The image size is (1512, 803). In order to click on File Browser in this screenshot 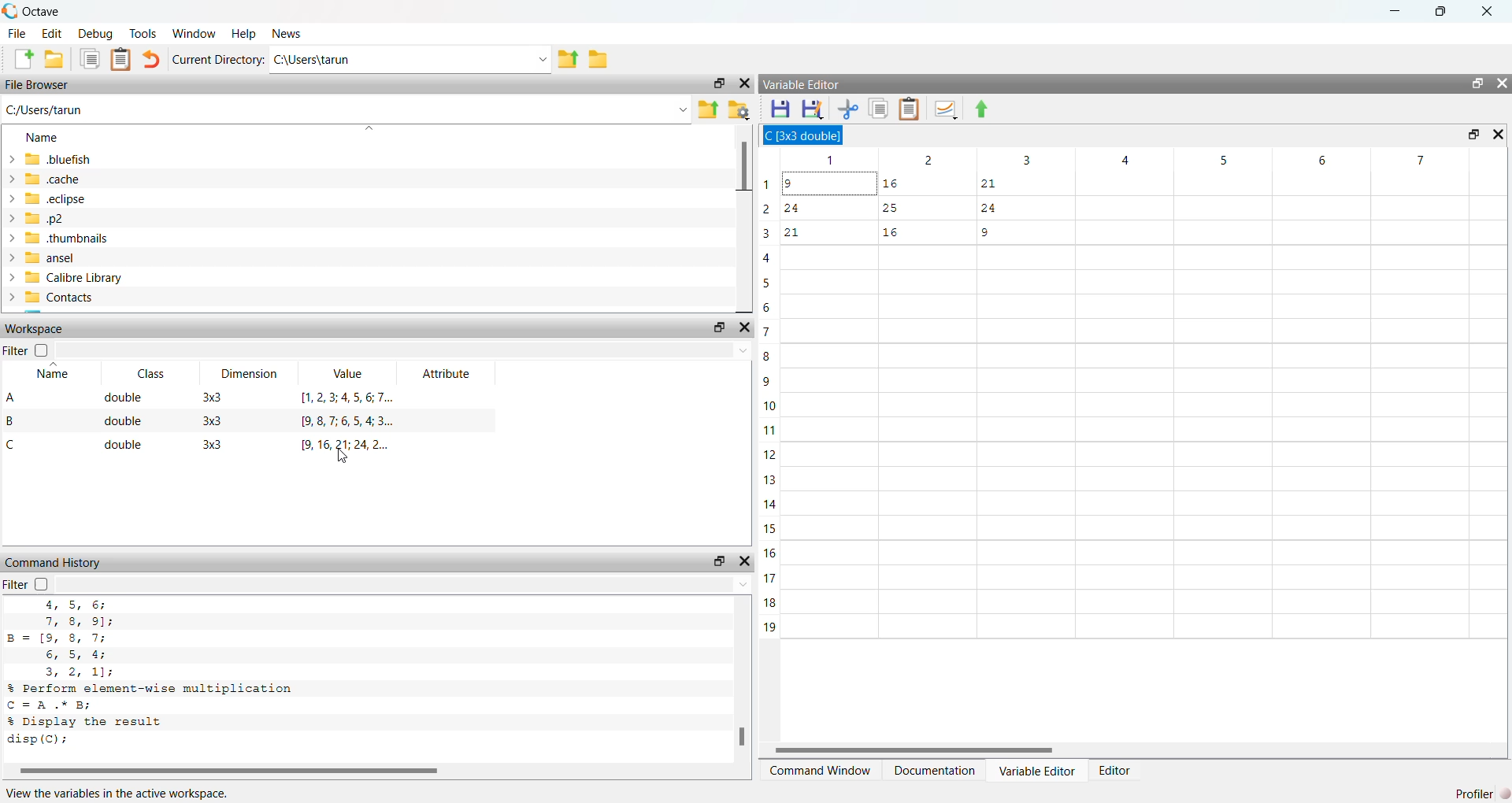, I will do `click(39, 86)`.